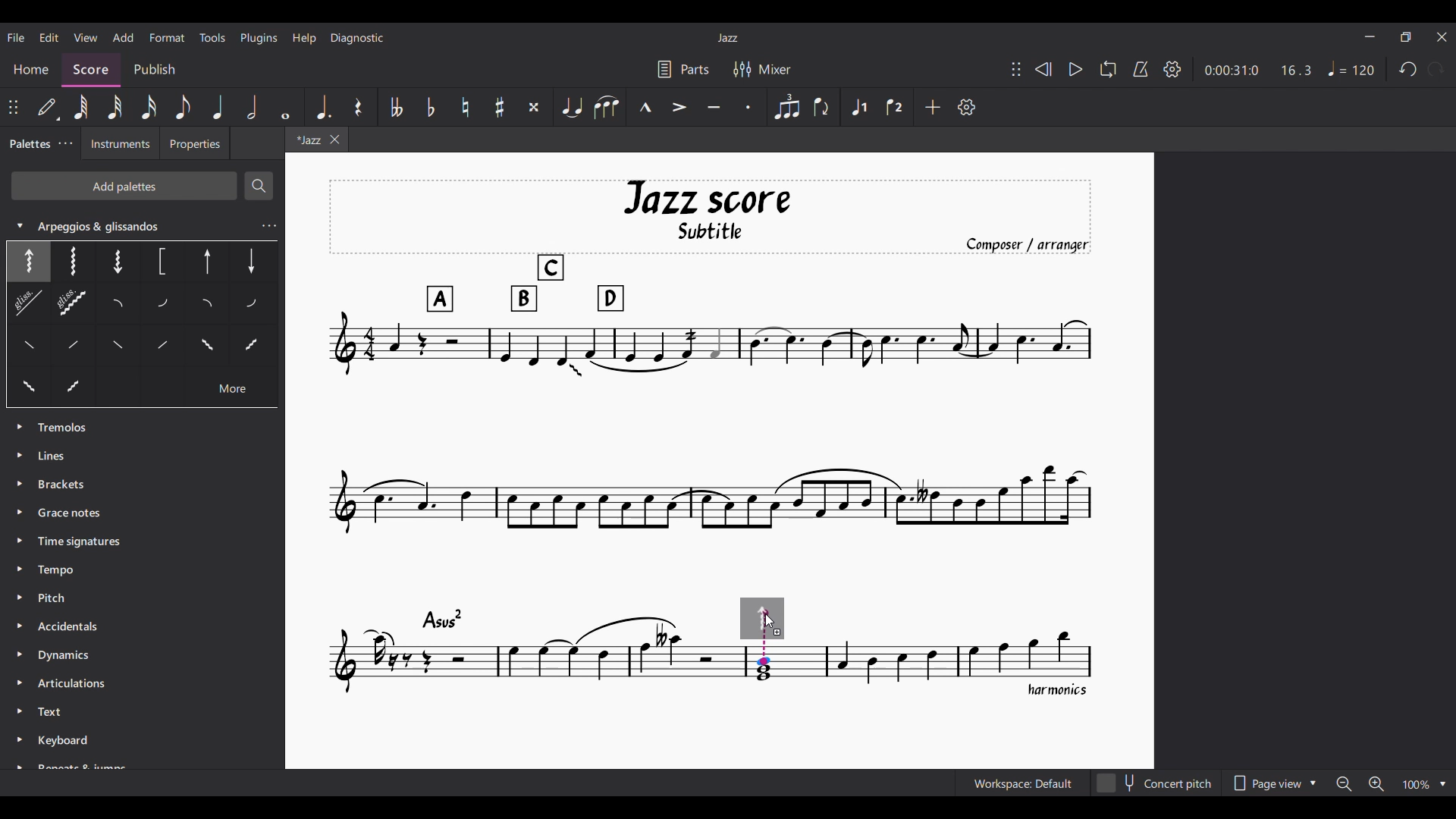 This screenshot has width=1456, height=819. Describe the element at coordinates (83, 541) in the screenshot. I see `Time Signatures` at that location.